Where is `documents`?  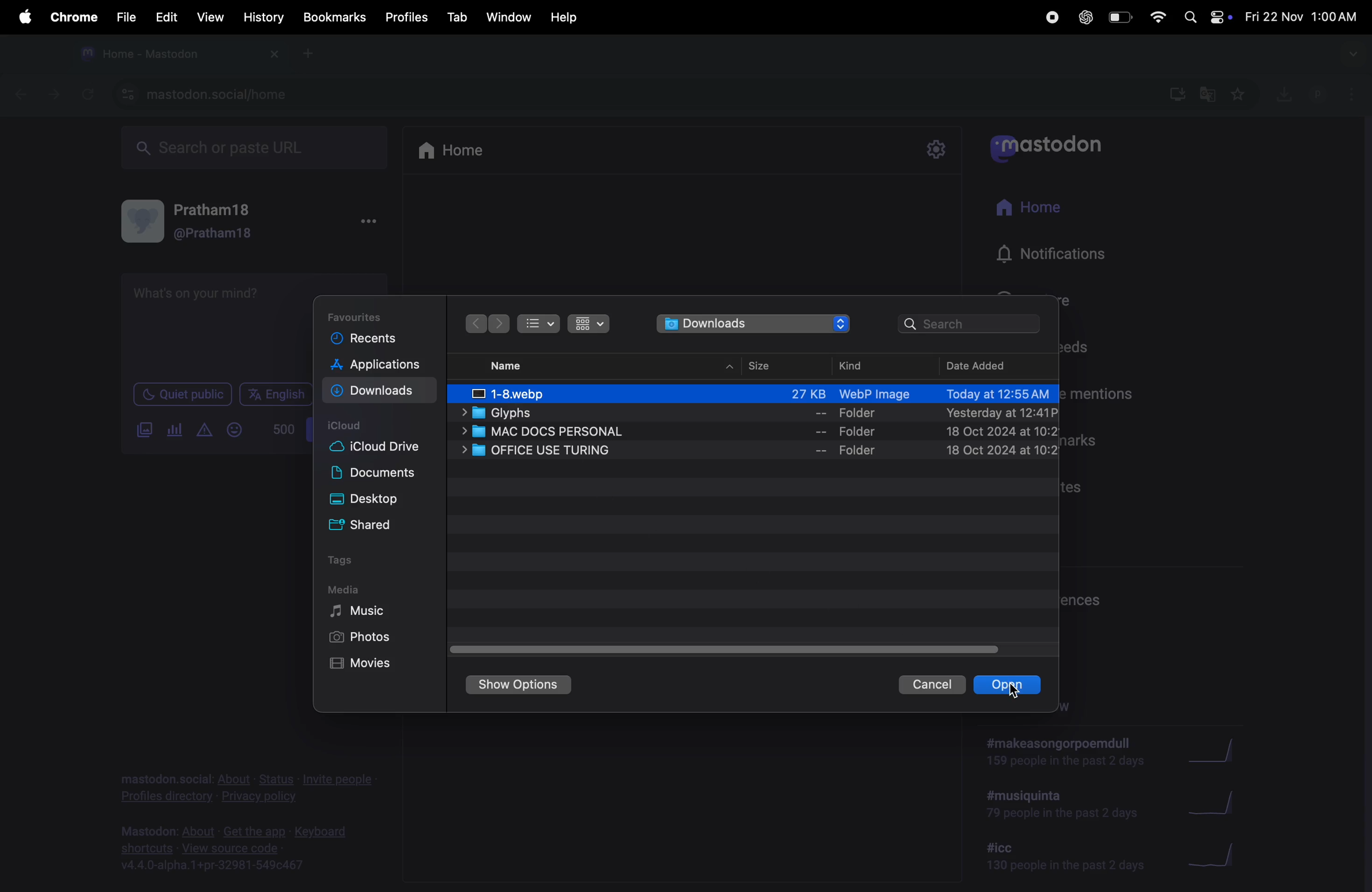 documents is located at coordinates (381, 474).